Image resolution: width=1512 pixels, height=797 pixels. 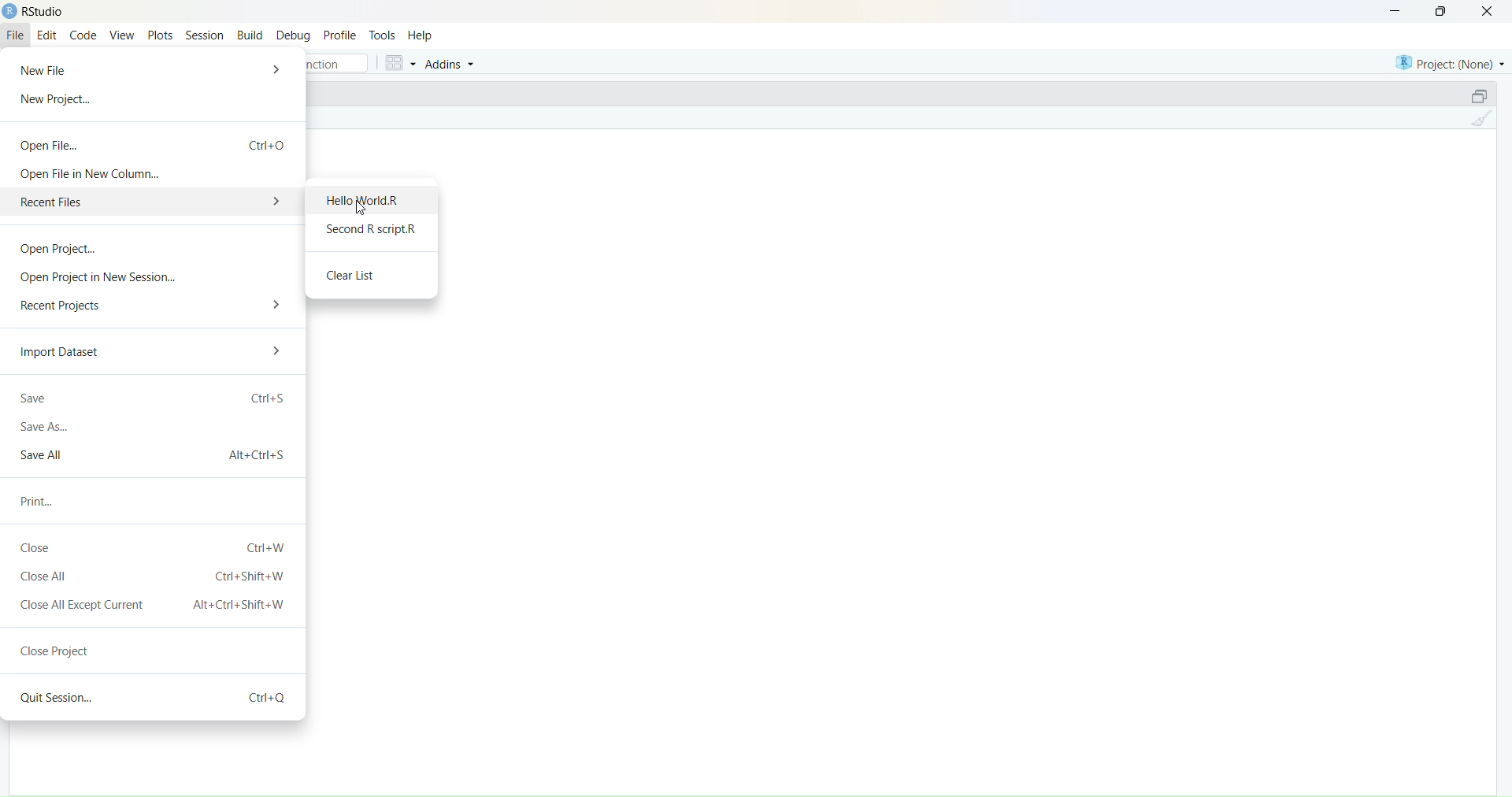 What do you see at coordinates (154, 455) in the screenshot?
I see `Save All Alt + Ctrl + S` at bounding box center [154, 455].